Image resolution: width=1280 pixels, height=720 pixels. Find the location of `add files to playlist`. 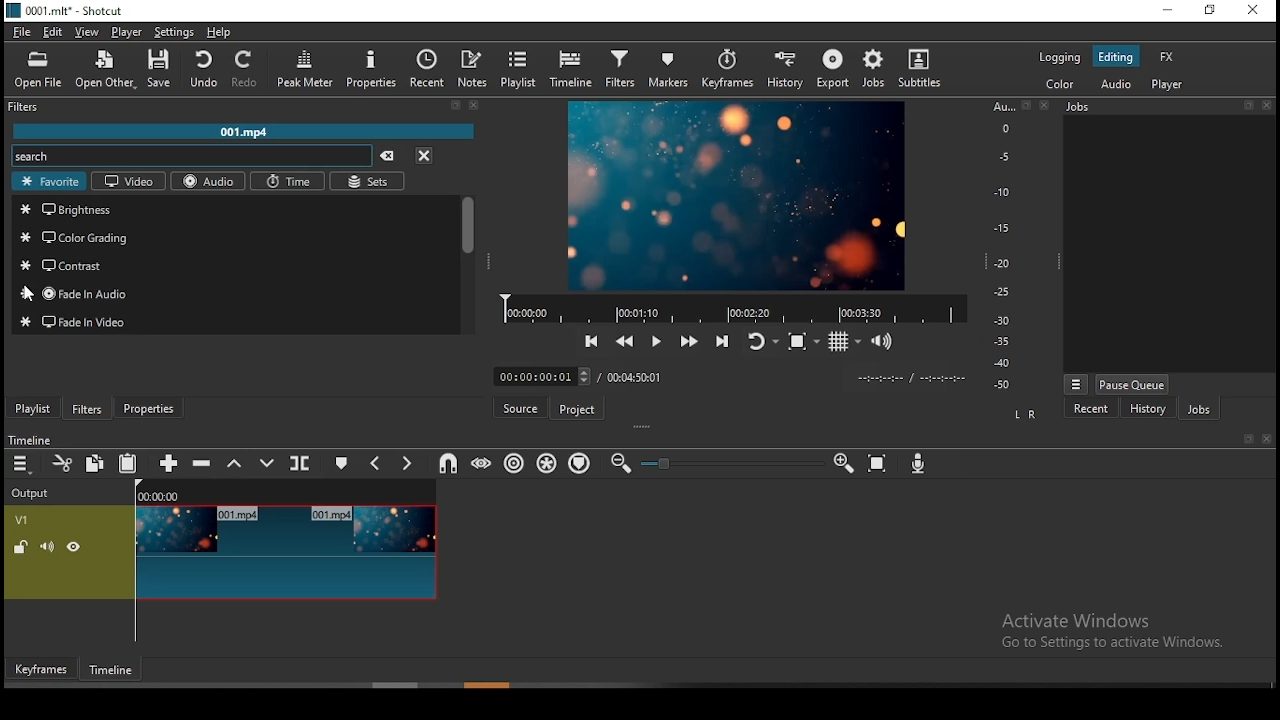

add files to playlist is located at coordinates (126, 378).